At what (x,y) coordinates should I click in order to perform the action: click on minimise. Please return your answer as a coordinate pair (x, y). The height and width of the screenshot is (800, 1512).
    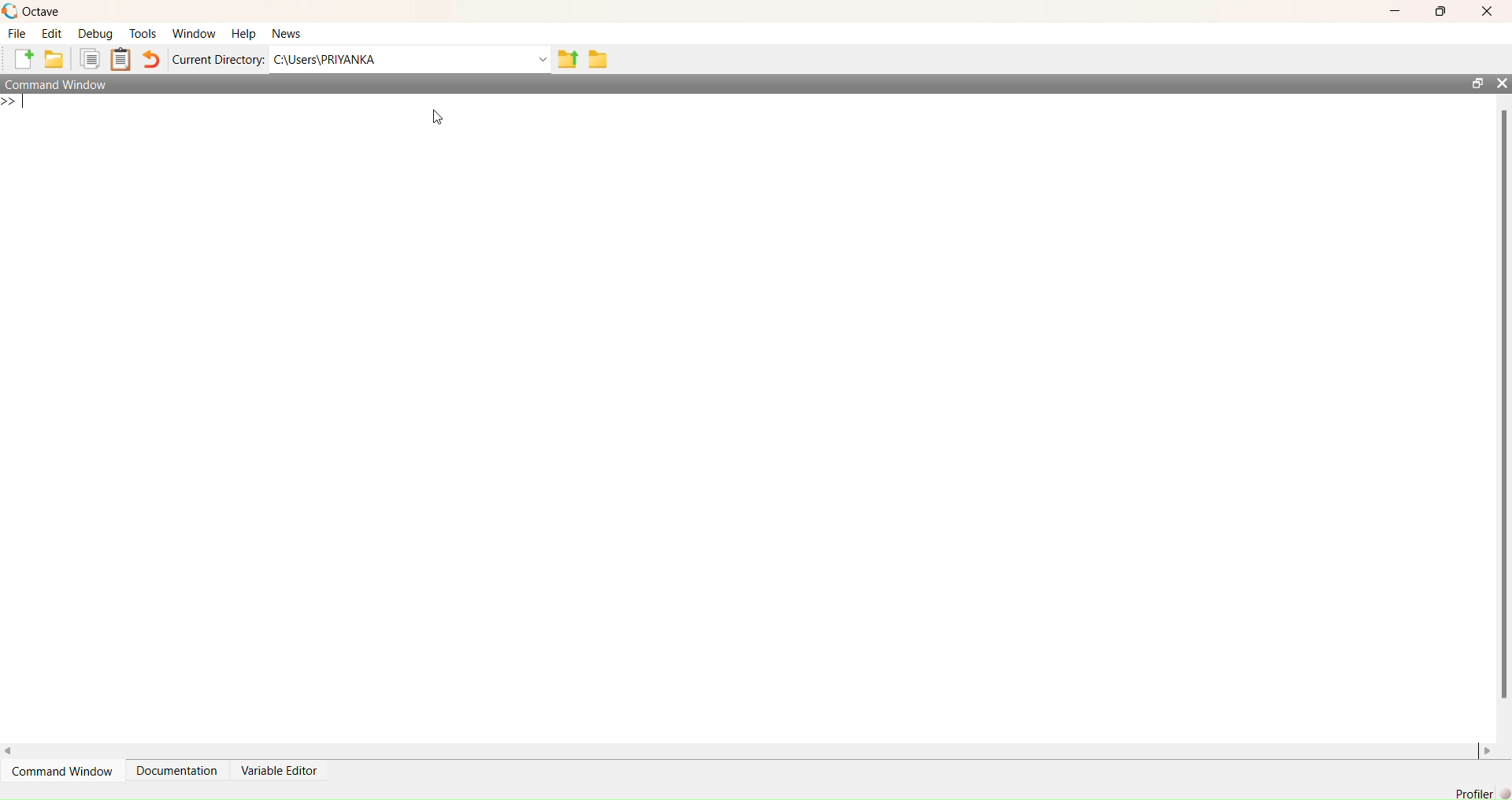
    Looking at the image, I should click on (1397, 10).